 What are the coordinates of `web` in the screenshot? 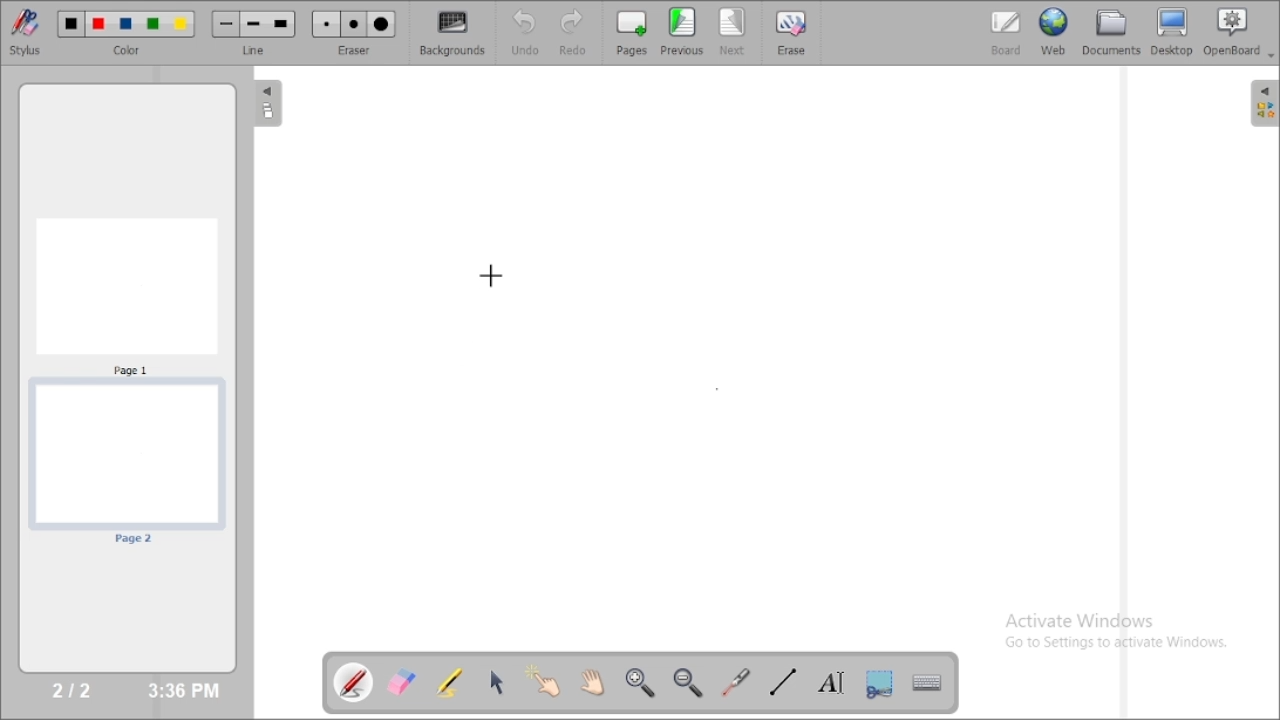 It's located at (1054, 31).